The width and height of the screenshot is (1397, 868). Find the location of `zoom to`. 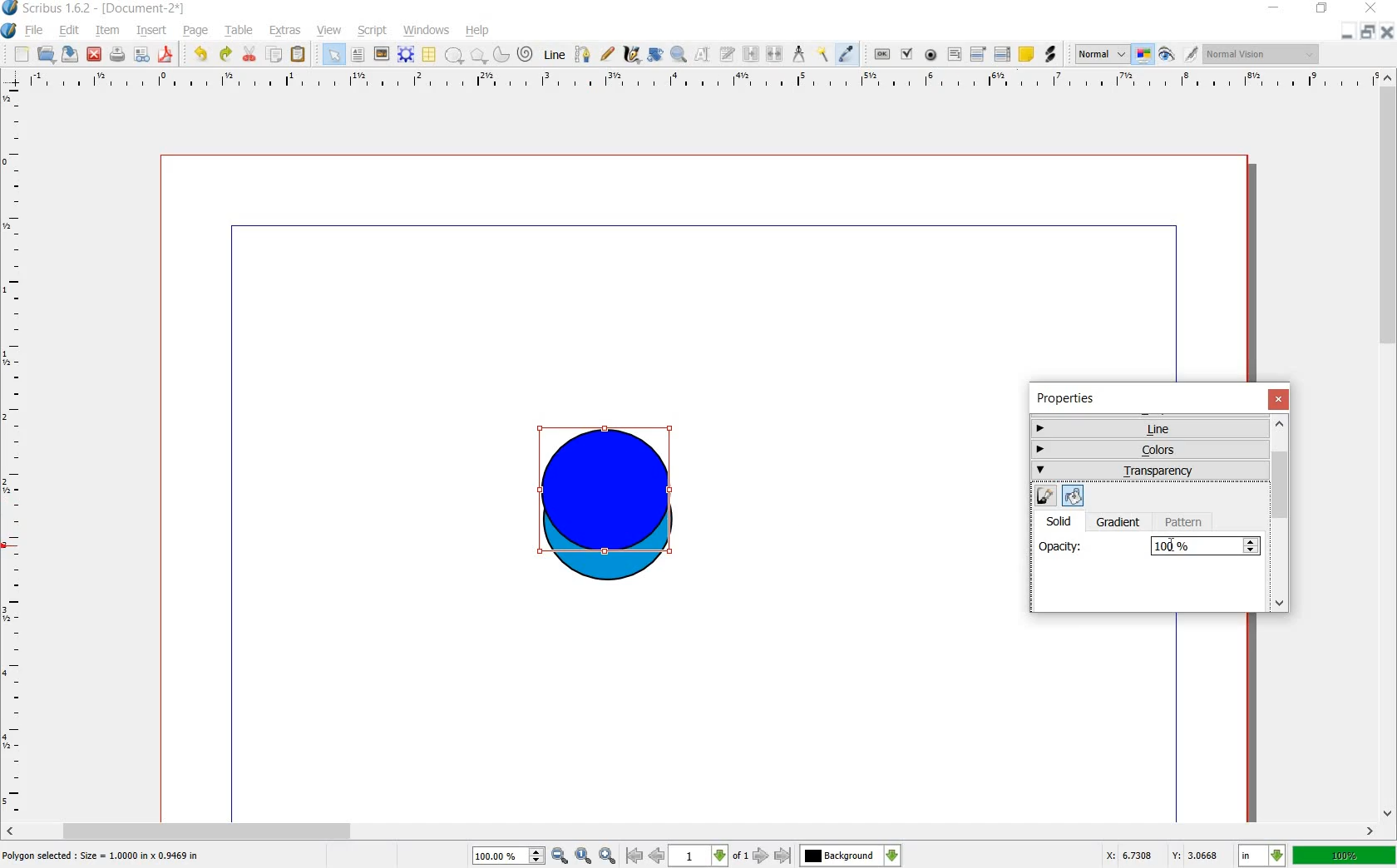

zoom to is located at coordinates (584, 856).